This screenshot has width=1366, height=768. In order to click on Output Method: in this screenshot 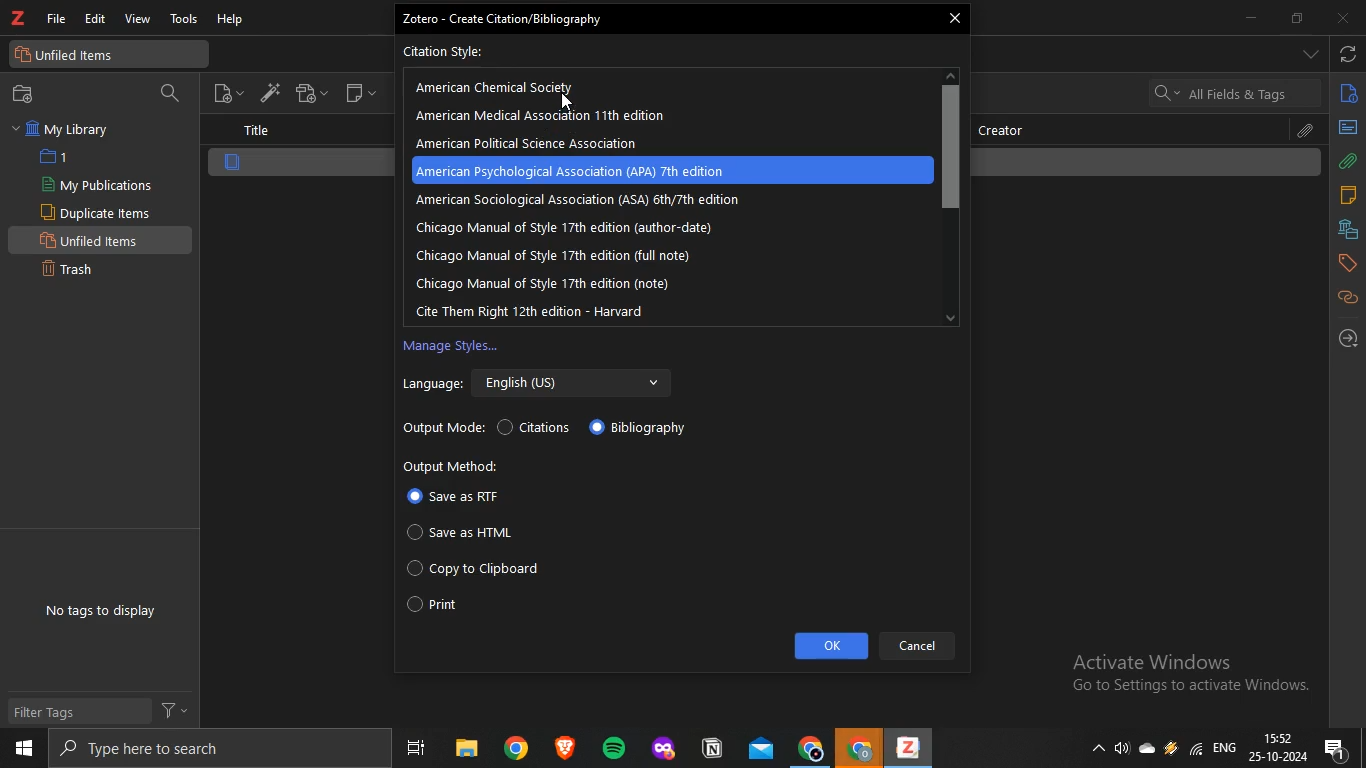, I will do `click(461, 465)`.